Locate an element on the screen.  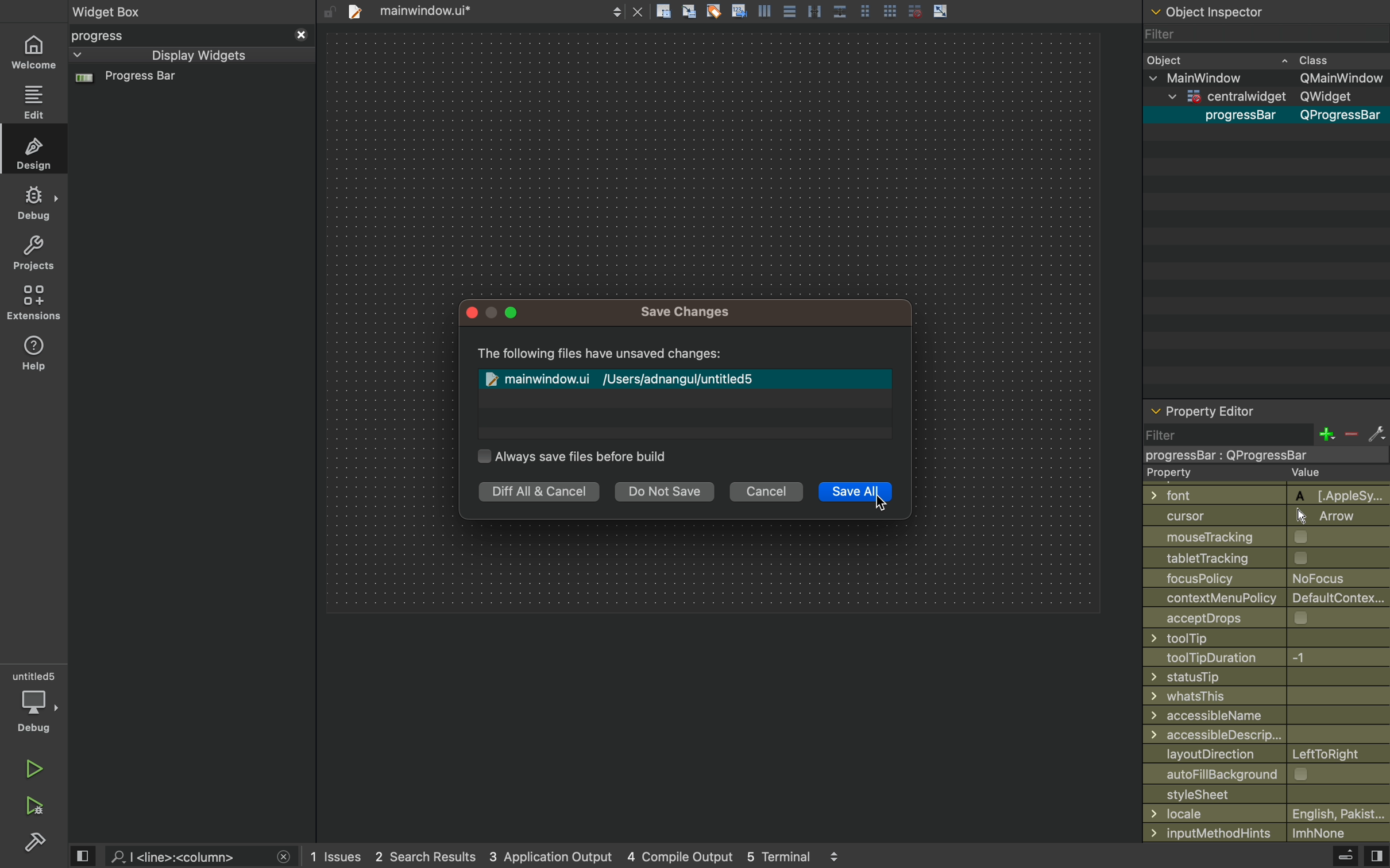
save all is located at coordinates (855, 494).